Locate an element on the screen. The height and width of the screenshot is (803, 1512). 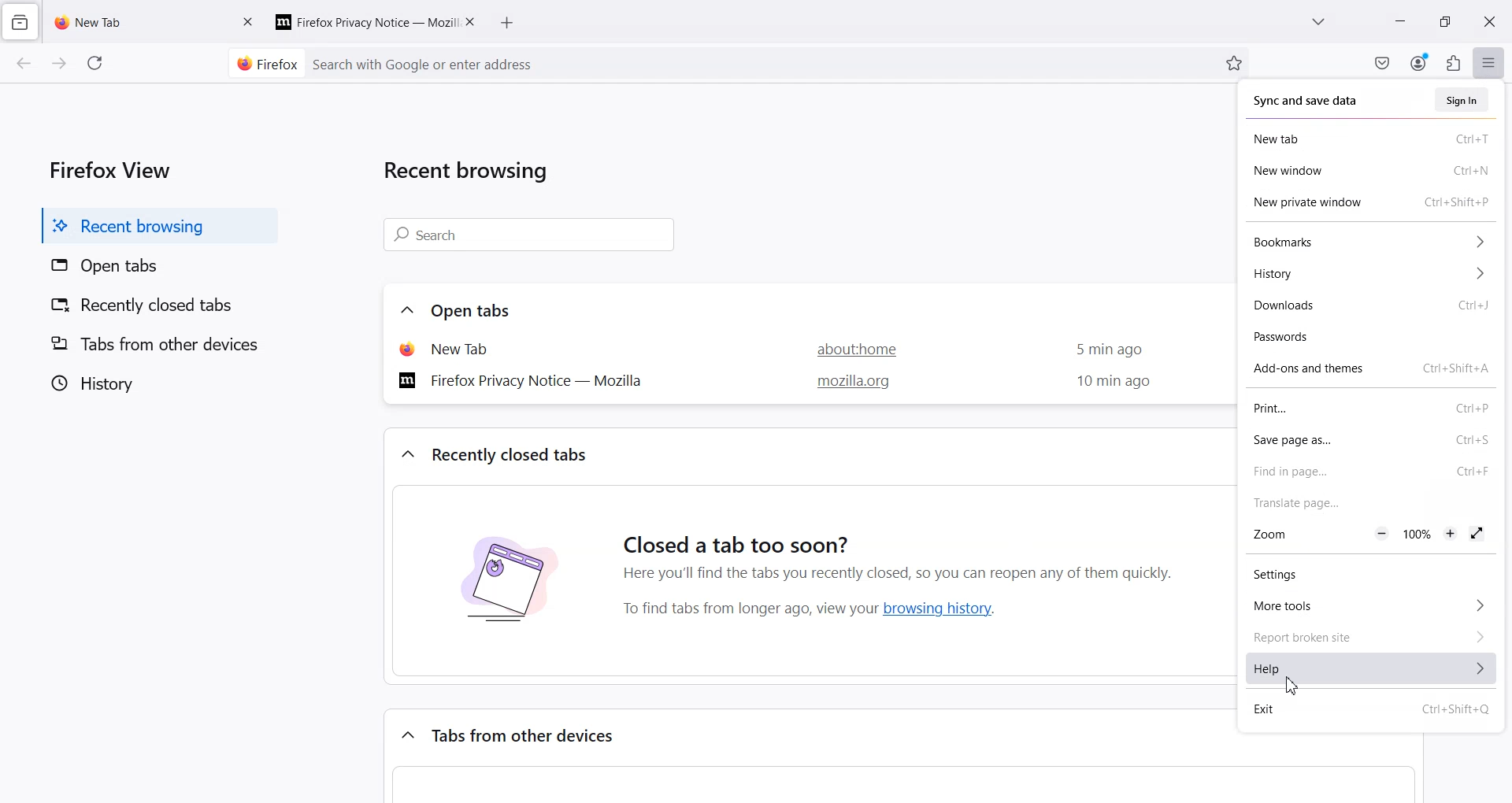
Close is located at coordinates (1490, 22).